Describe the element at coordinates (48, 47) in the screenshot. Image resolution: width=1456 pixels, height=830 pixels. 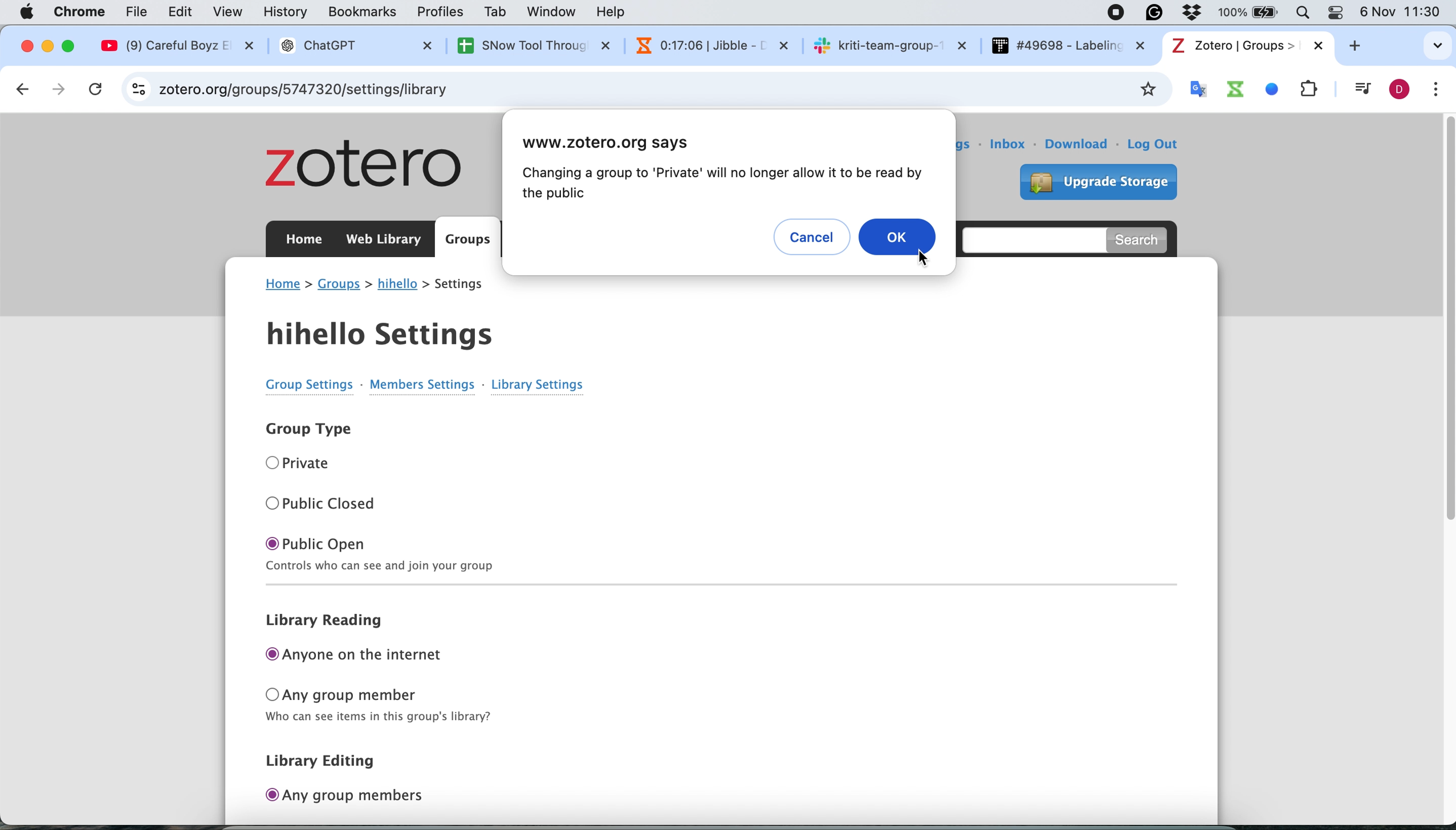
I see `minimise` at that location.